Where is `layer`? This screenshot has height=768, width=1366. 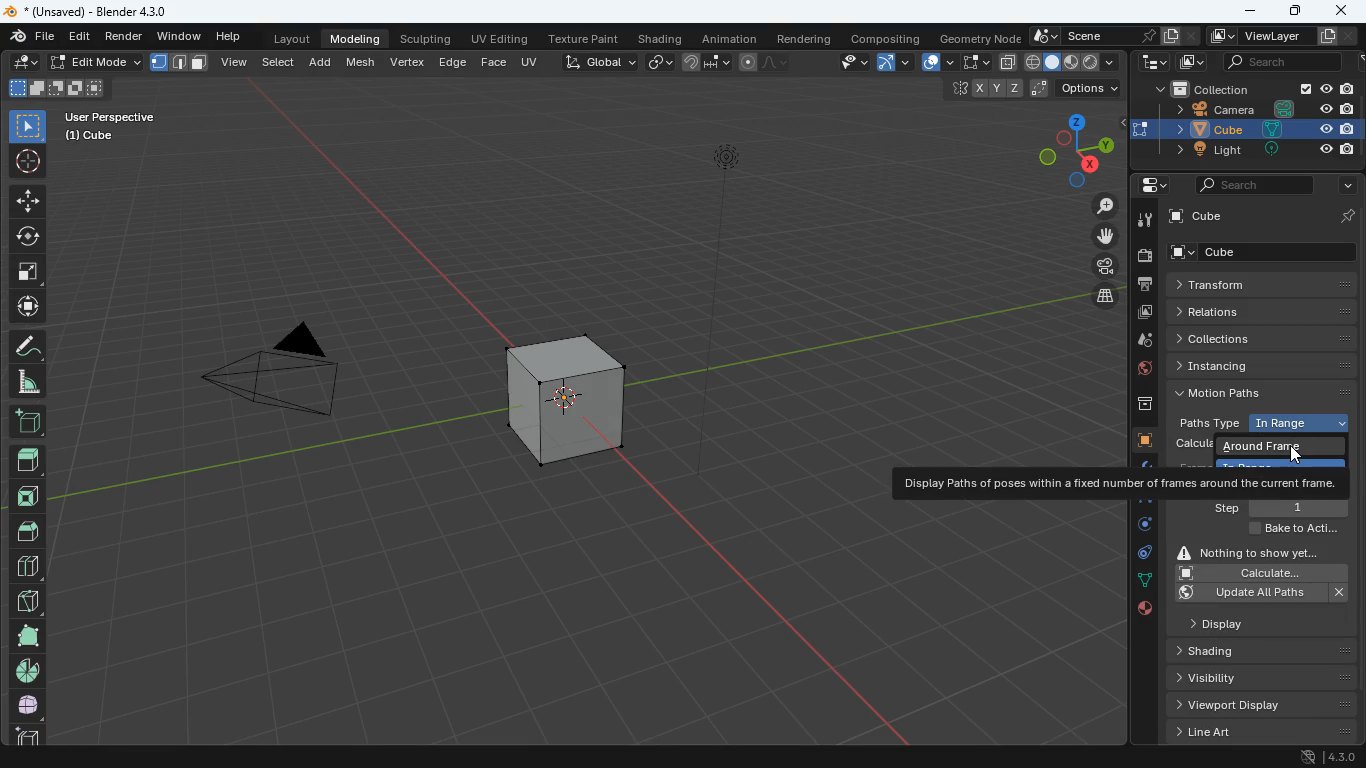
layer is located at coordinates (1099, 296).